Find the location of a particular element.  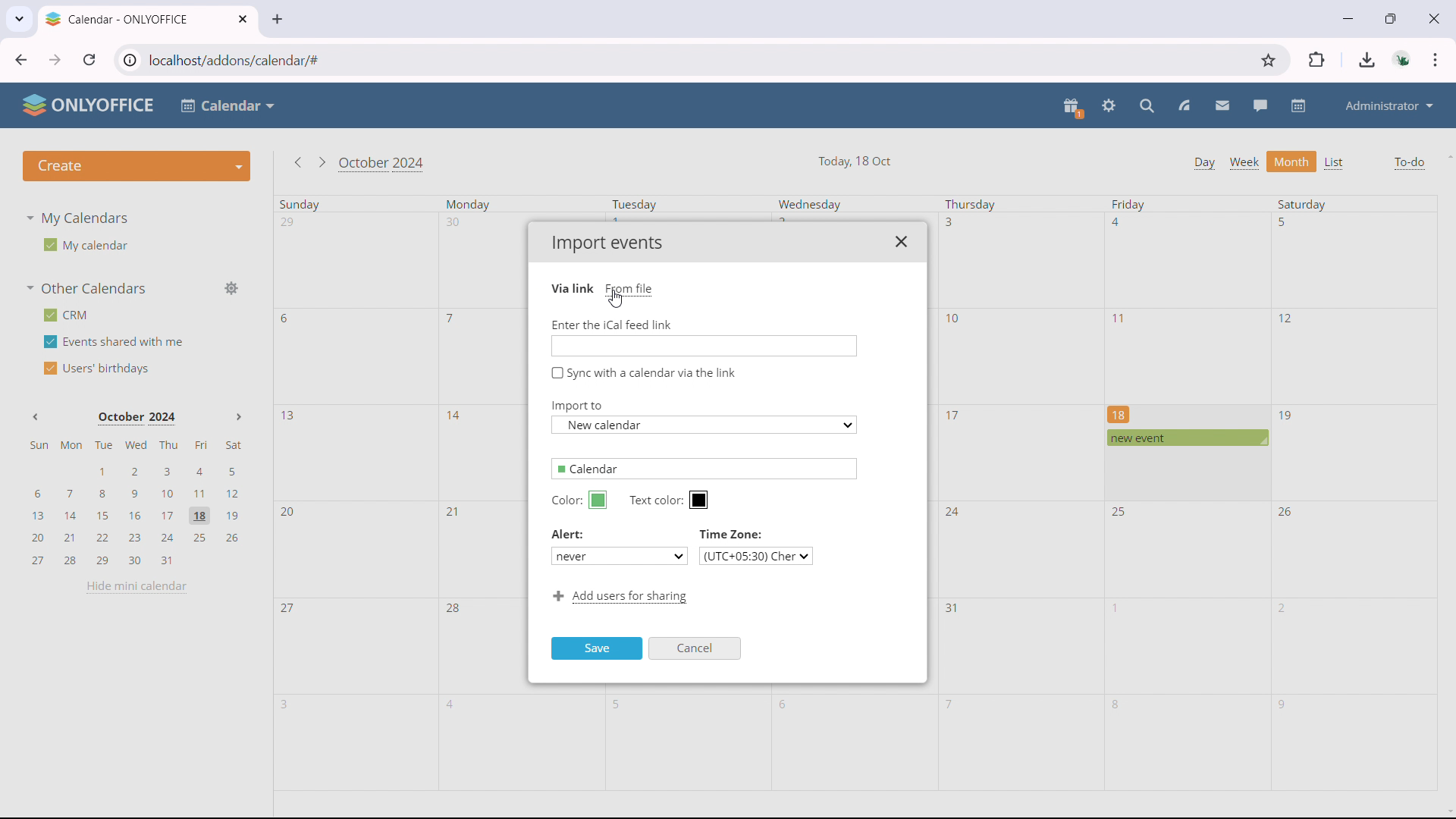

to-do is located at coordinates (1409, 163).